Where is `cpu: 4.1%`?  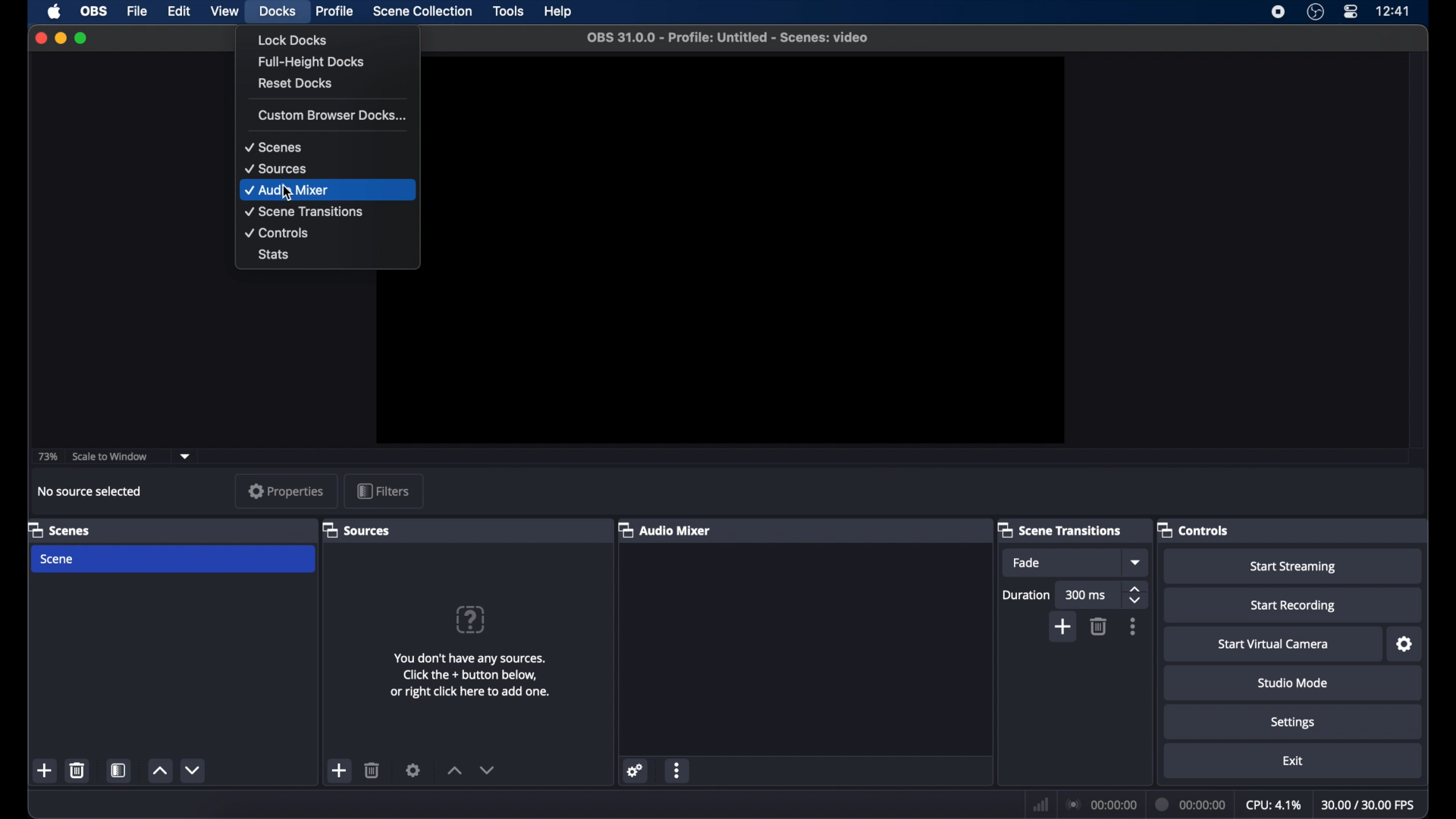
cpu: 4.1% is located at coordinates (1274, 803).